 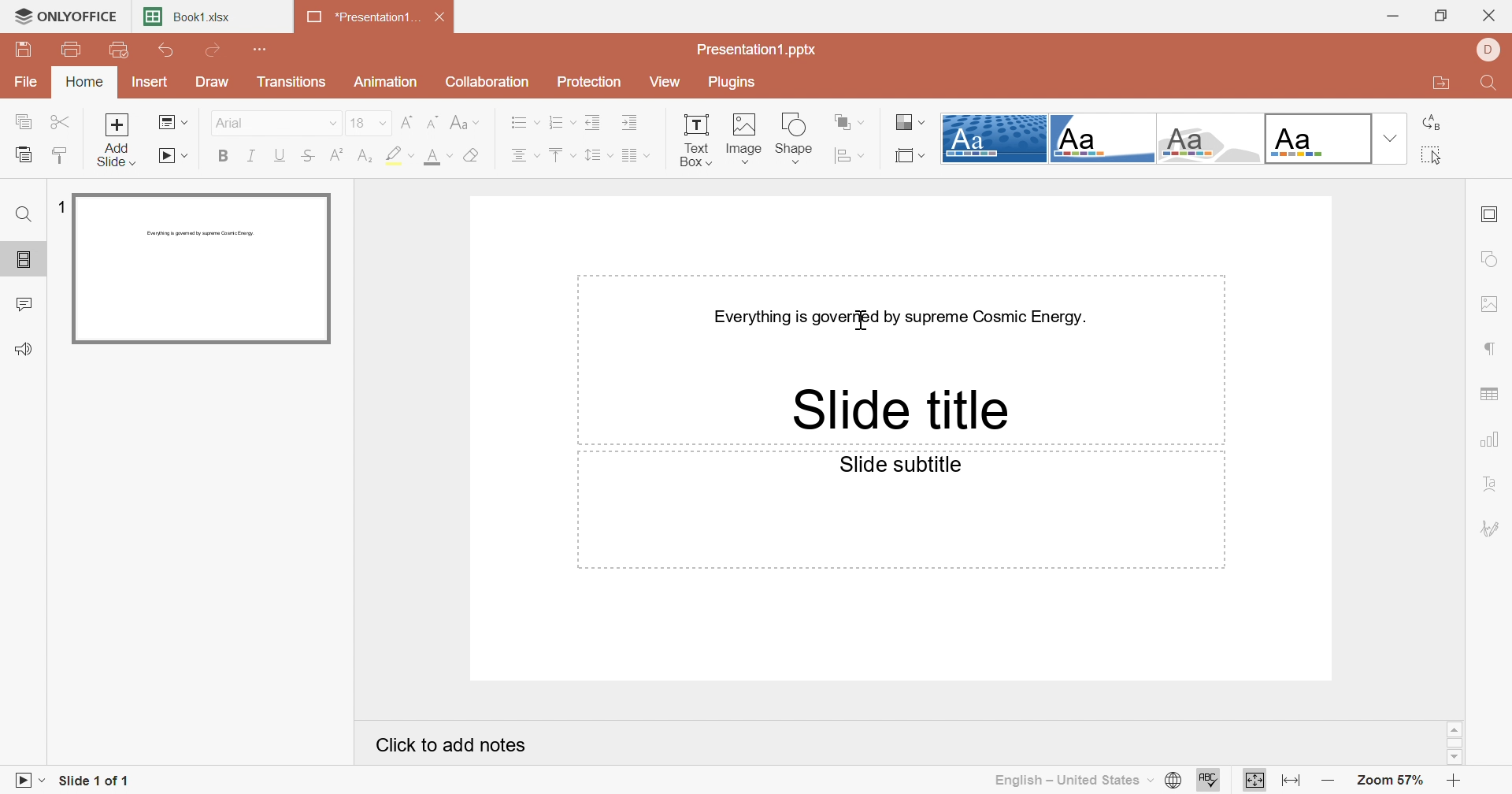 What do you see at coordinates (1492, 15) in the screenshot?
I see `Close` at bounding box center [1492, 15].